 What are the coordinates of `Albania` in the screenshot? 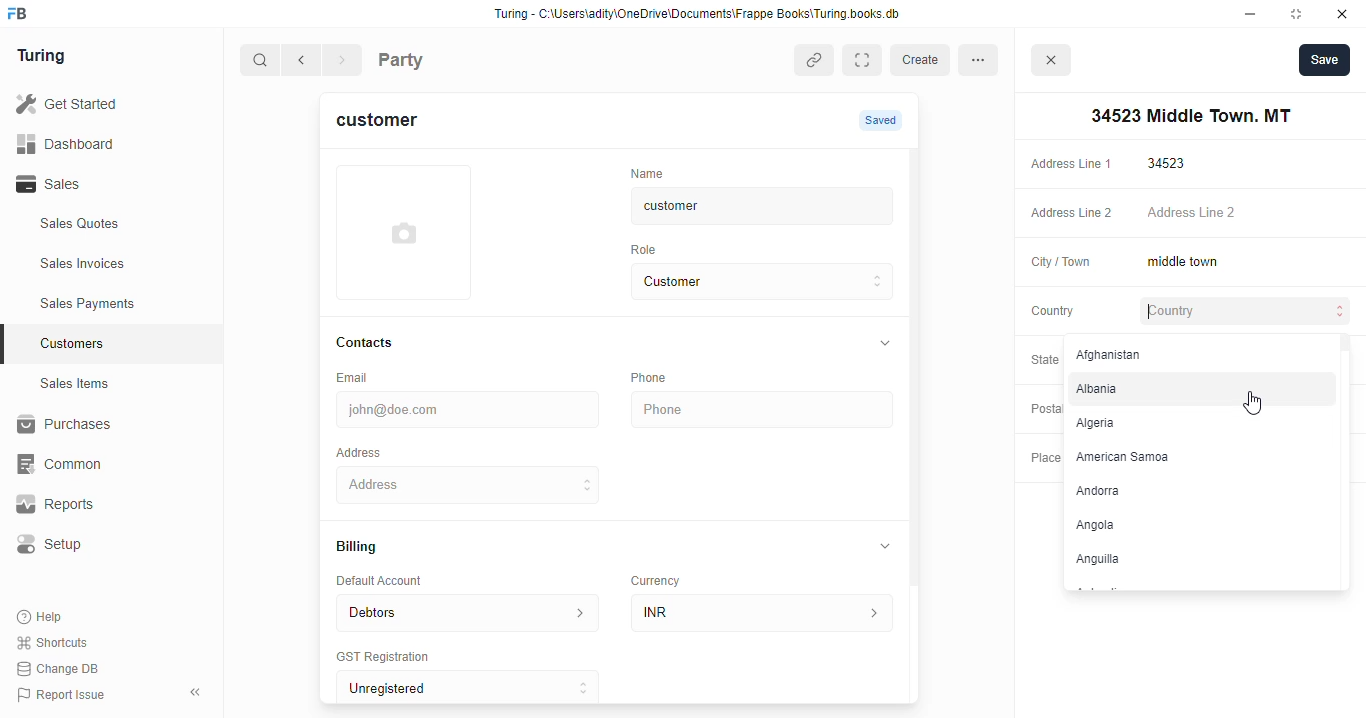 It's located at (1195, 390).